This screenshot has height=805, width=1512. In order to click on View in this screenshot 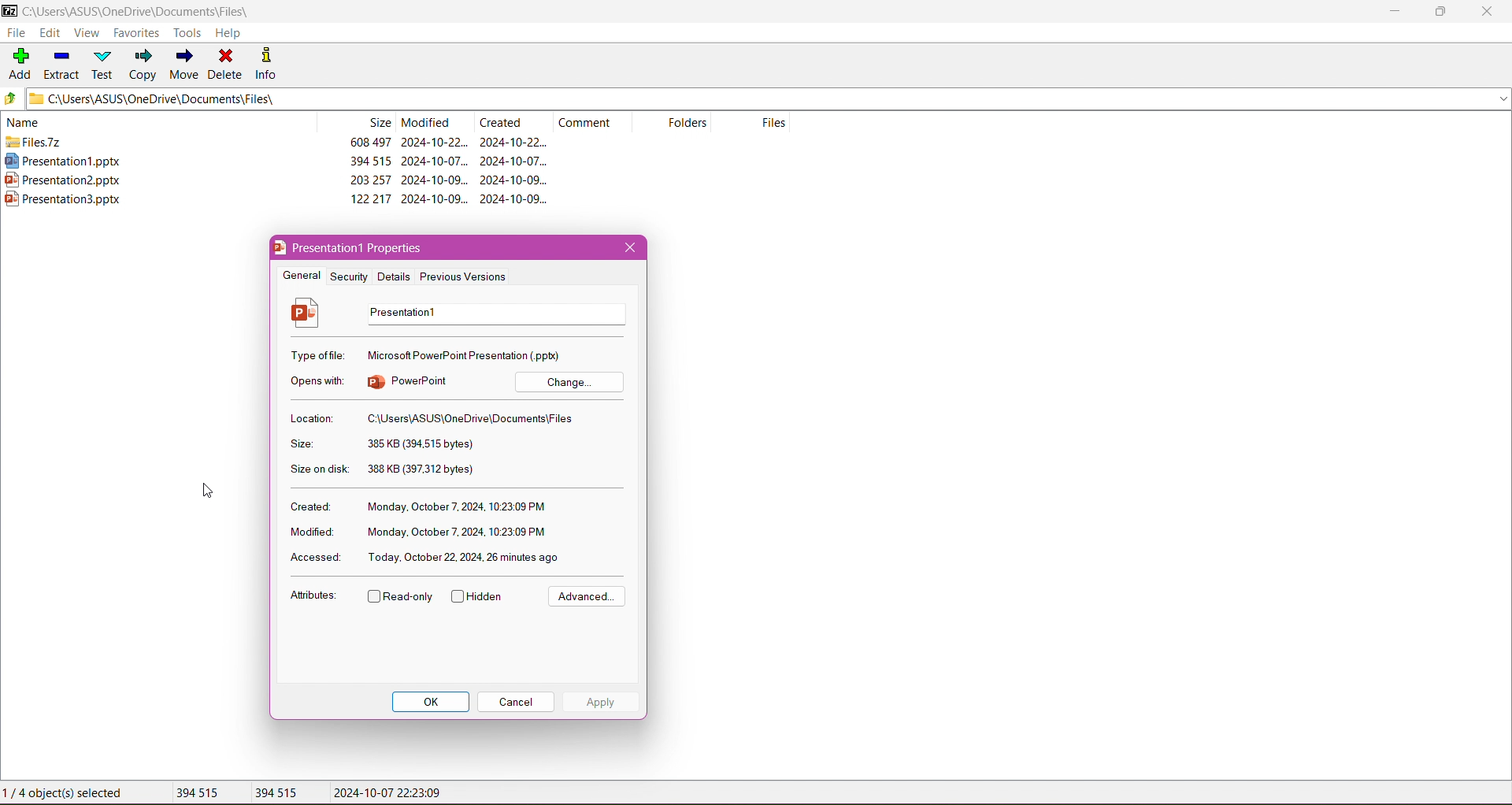, I will do `click(87, 33)`.